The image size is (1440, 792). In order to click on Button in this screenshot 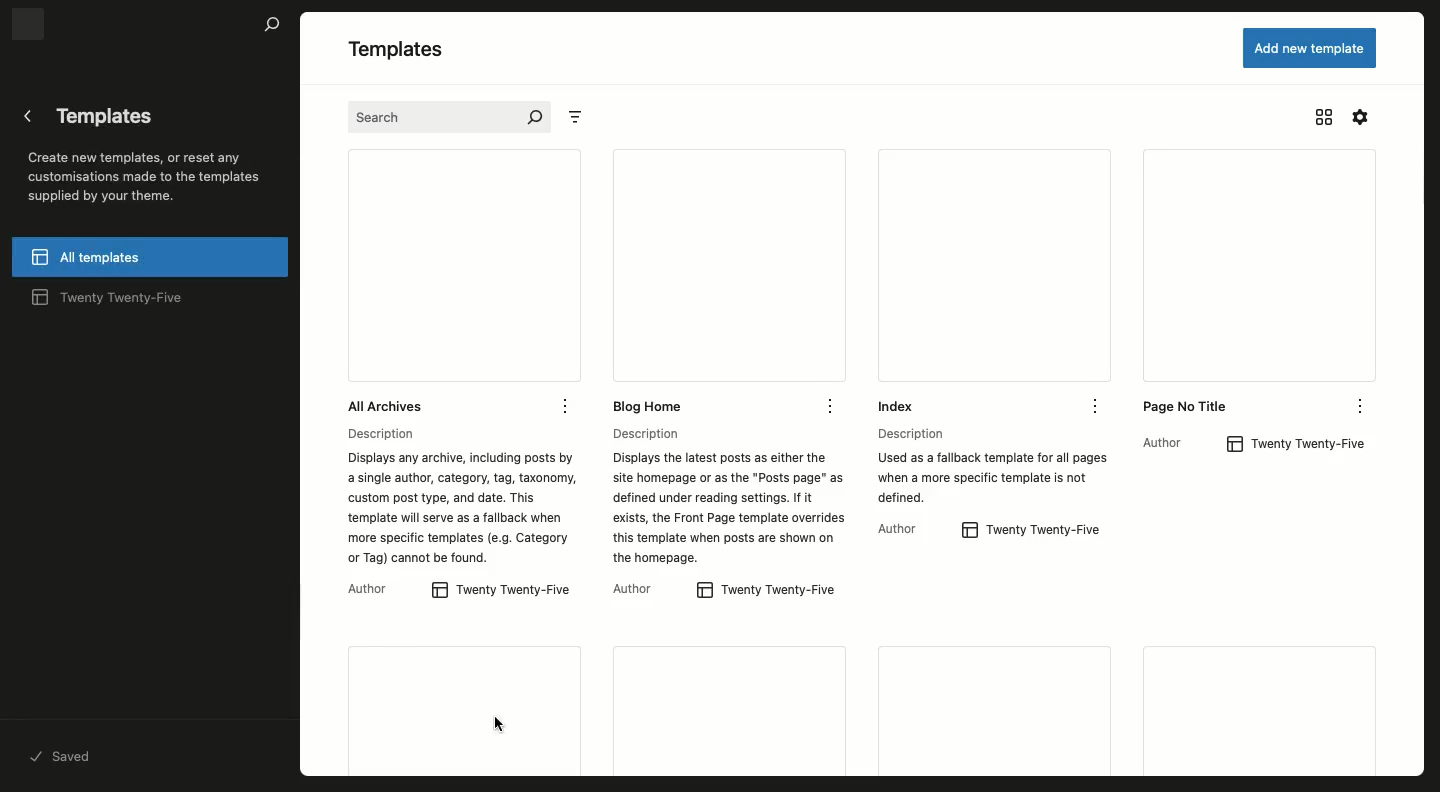, I will do `click(700, 590)`.